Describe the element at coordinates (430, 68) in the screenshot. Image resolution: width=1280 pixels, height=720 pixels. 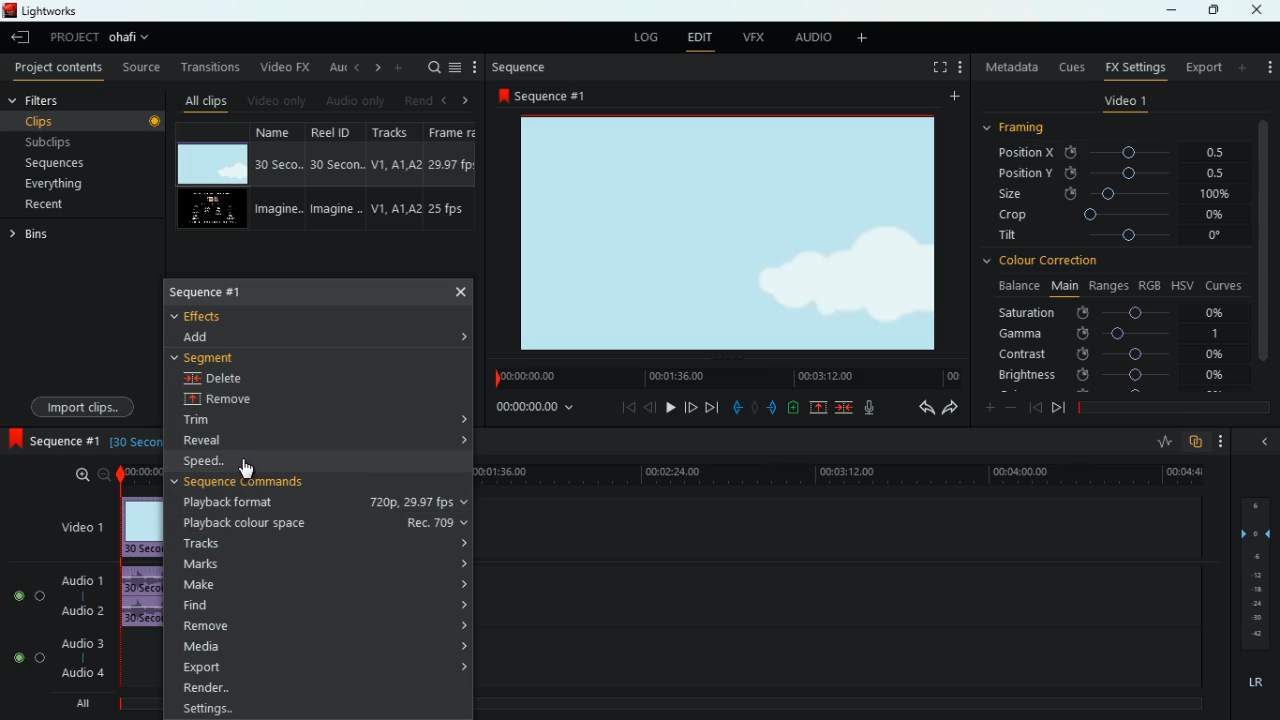
I see `search` at that location.